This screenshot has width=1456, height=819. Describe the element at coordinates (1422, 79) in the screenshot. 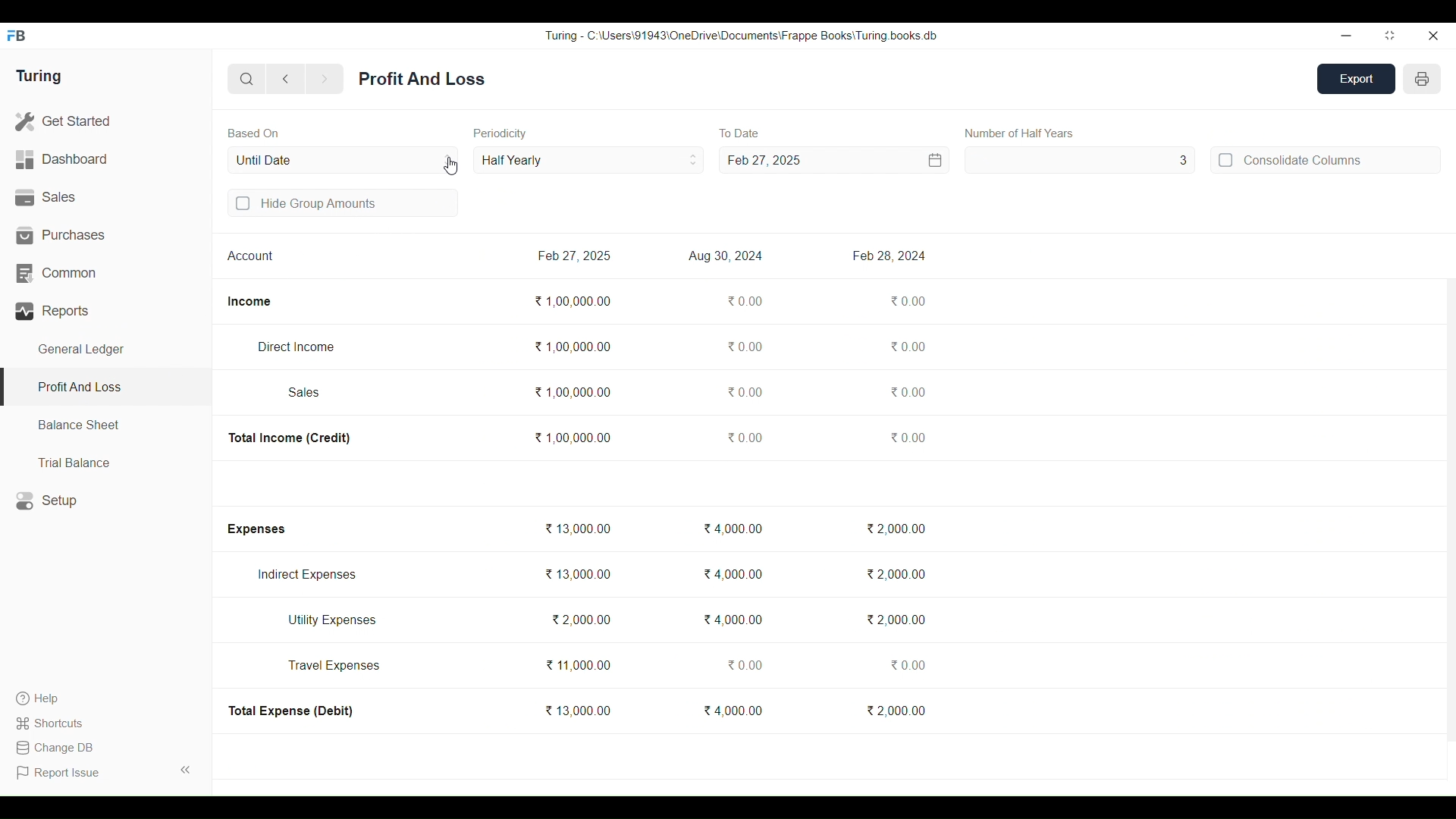

I see `Open report print view` at that location.